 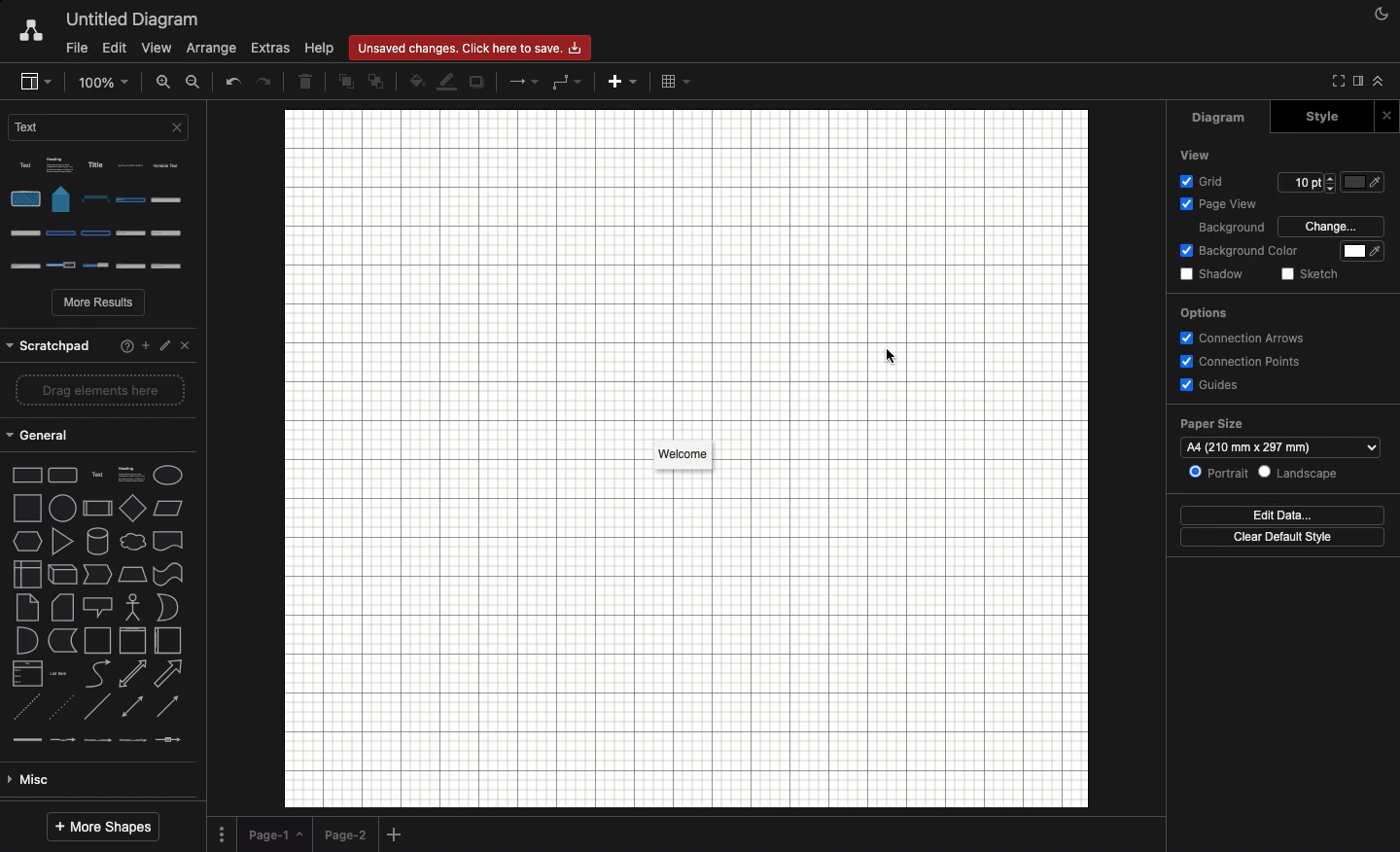 What do you see at coordinates (271, 49) in the screenshot?
I see `Extras` at bounding box center [271, 49].